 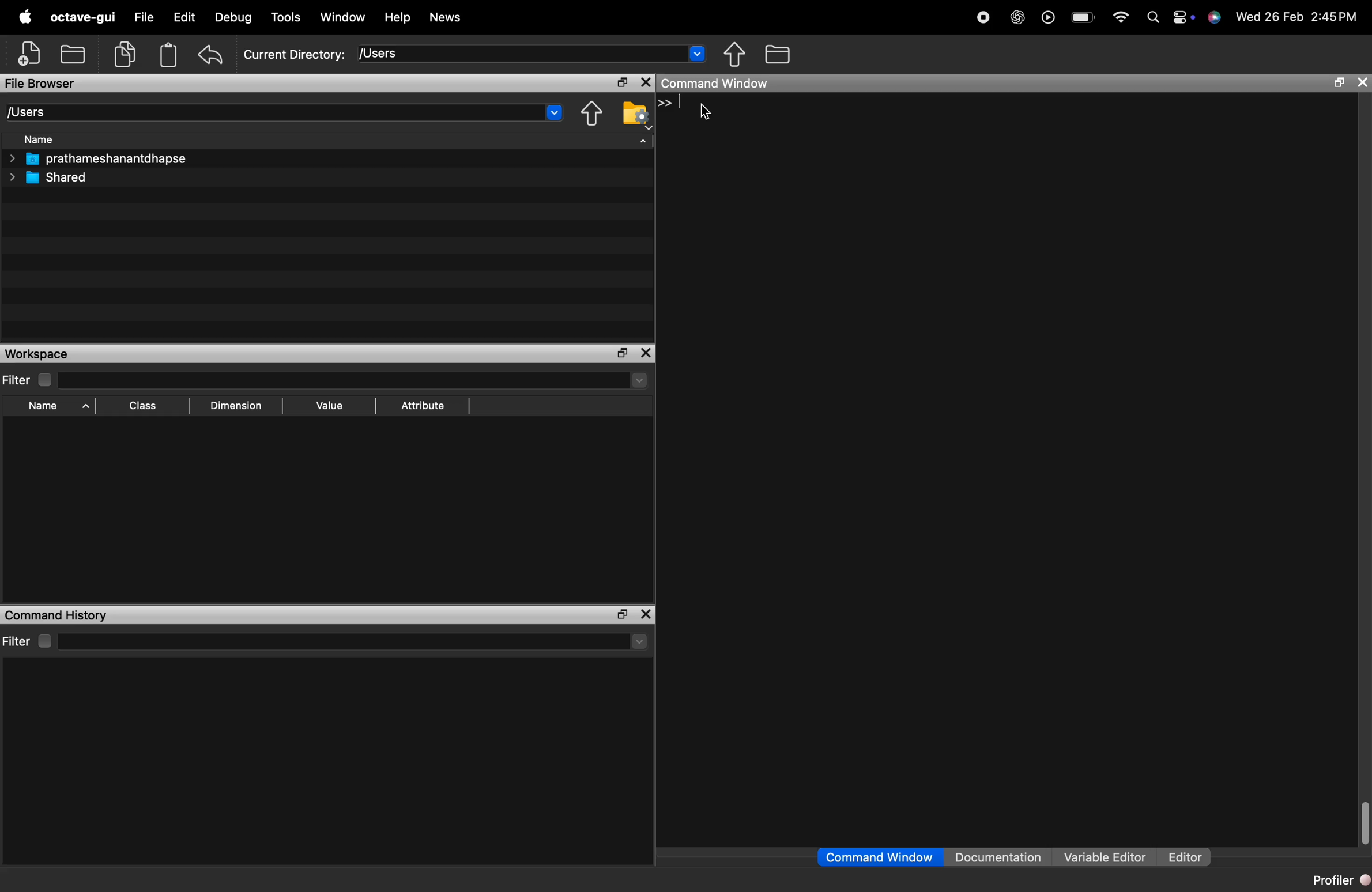 I want to click on close, so click(x=648, y=613).